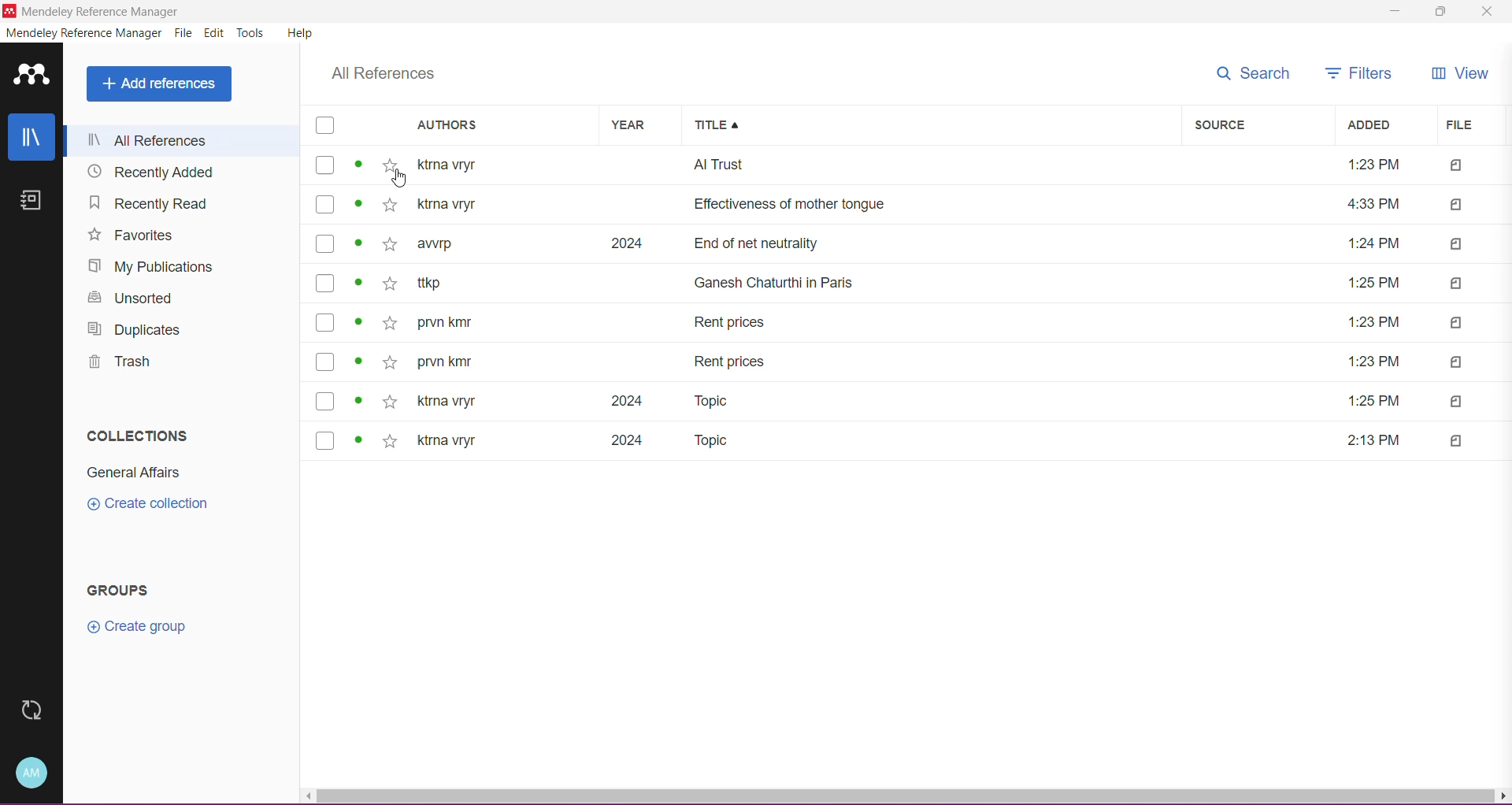  Describe the element at coordinates (633, 125) in the screenshot. I see `Year` at that location.